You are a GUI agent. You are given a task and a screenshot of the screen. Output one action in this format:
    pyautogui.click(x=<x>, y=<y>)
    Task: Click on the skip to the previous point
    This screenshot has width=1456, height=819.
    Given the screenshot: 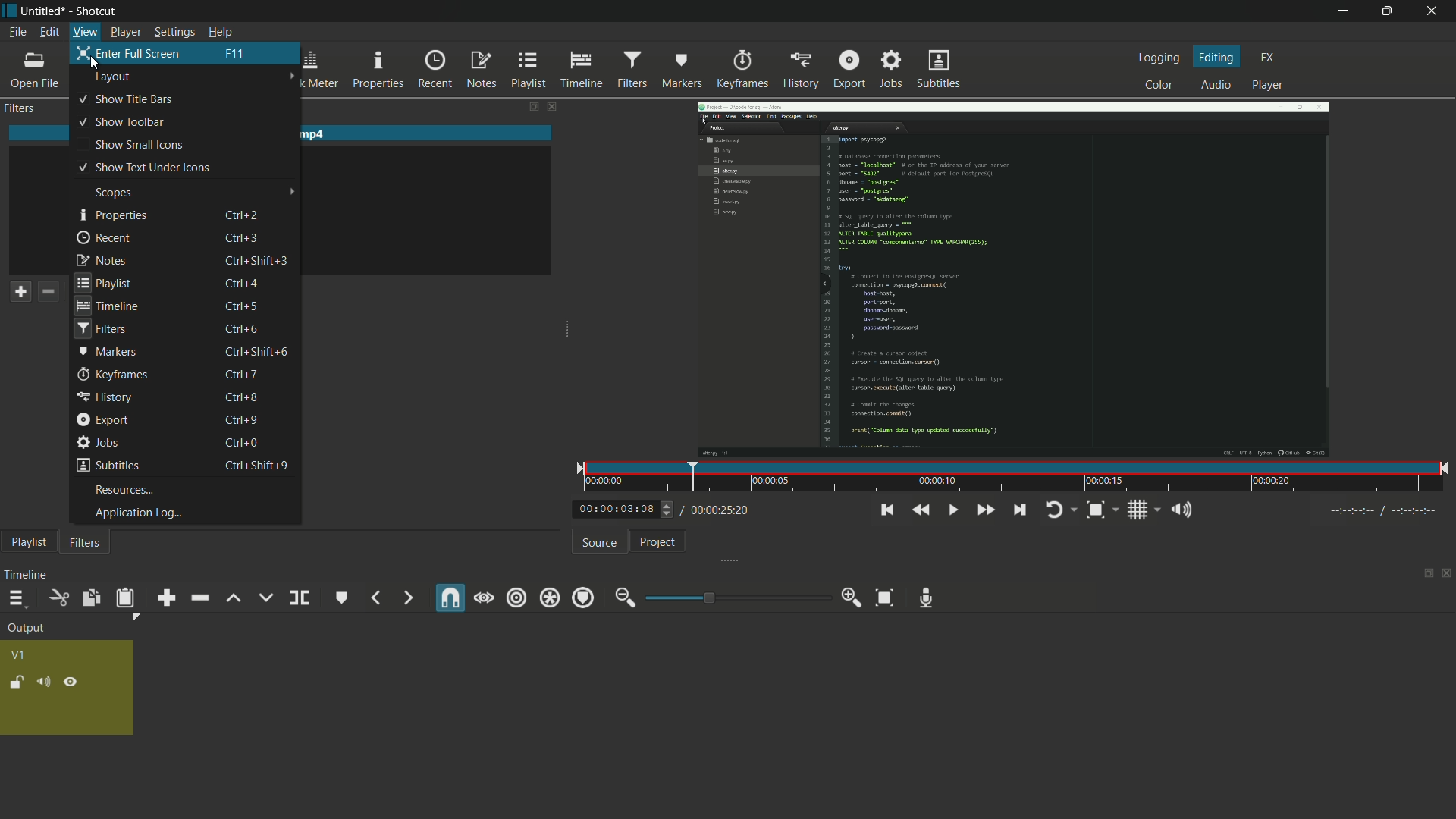 What is the action you would take?
    pyautogui.click(x=886, y=510)
    